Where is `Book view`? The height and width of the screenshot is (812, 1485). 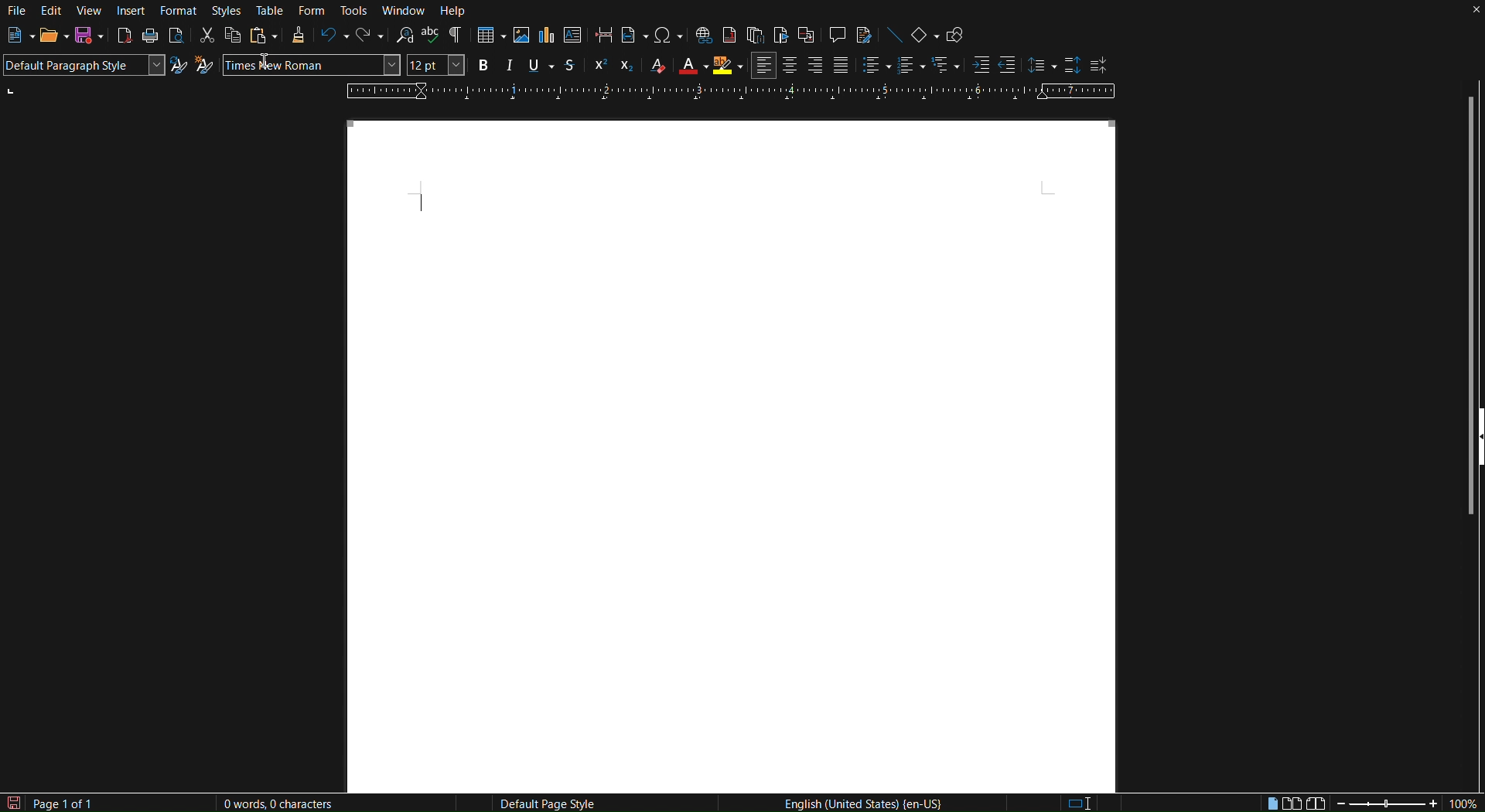
Book view is located at coordinates (1315, 801).